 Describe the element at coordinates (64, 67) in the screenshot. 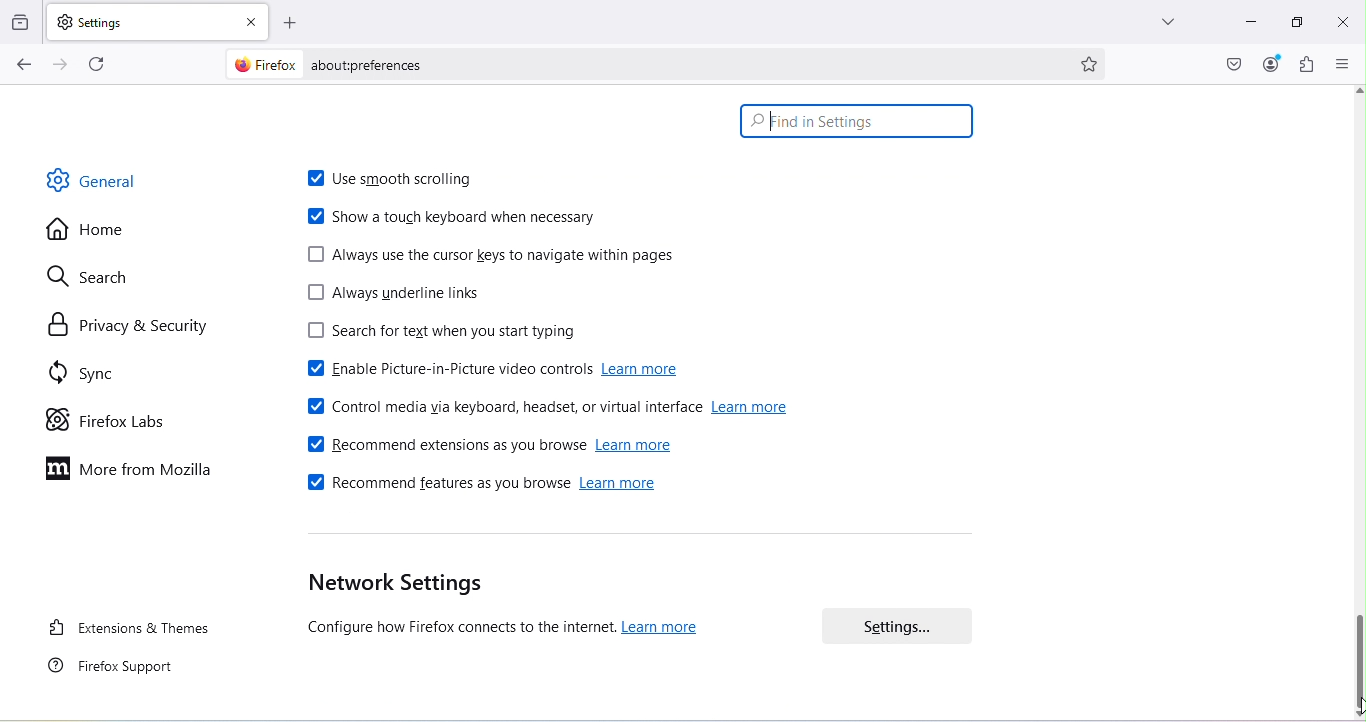

I see `Go forward one page` at that location.